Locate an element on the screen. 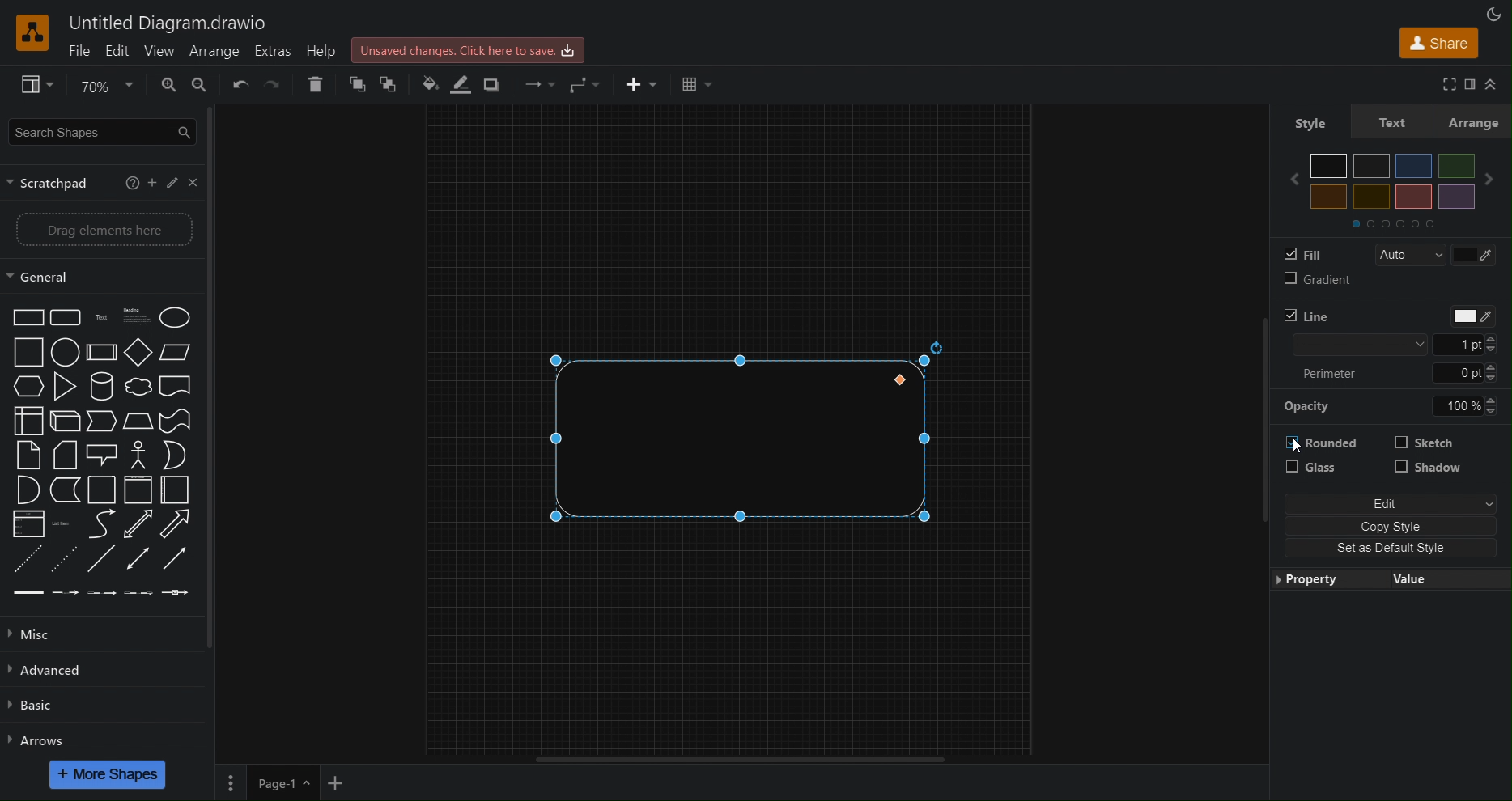  Property is located at coordinates (1326, 581).